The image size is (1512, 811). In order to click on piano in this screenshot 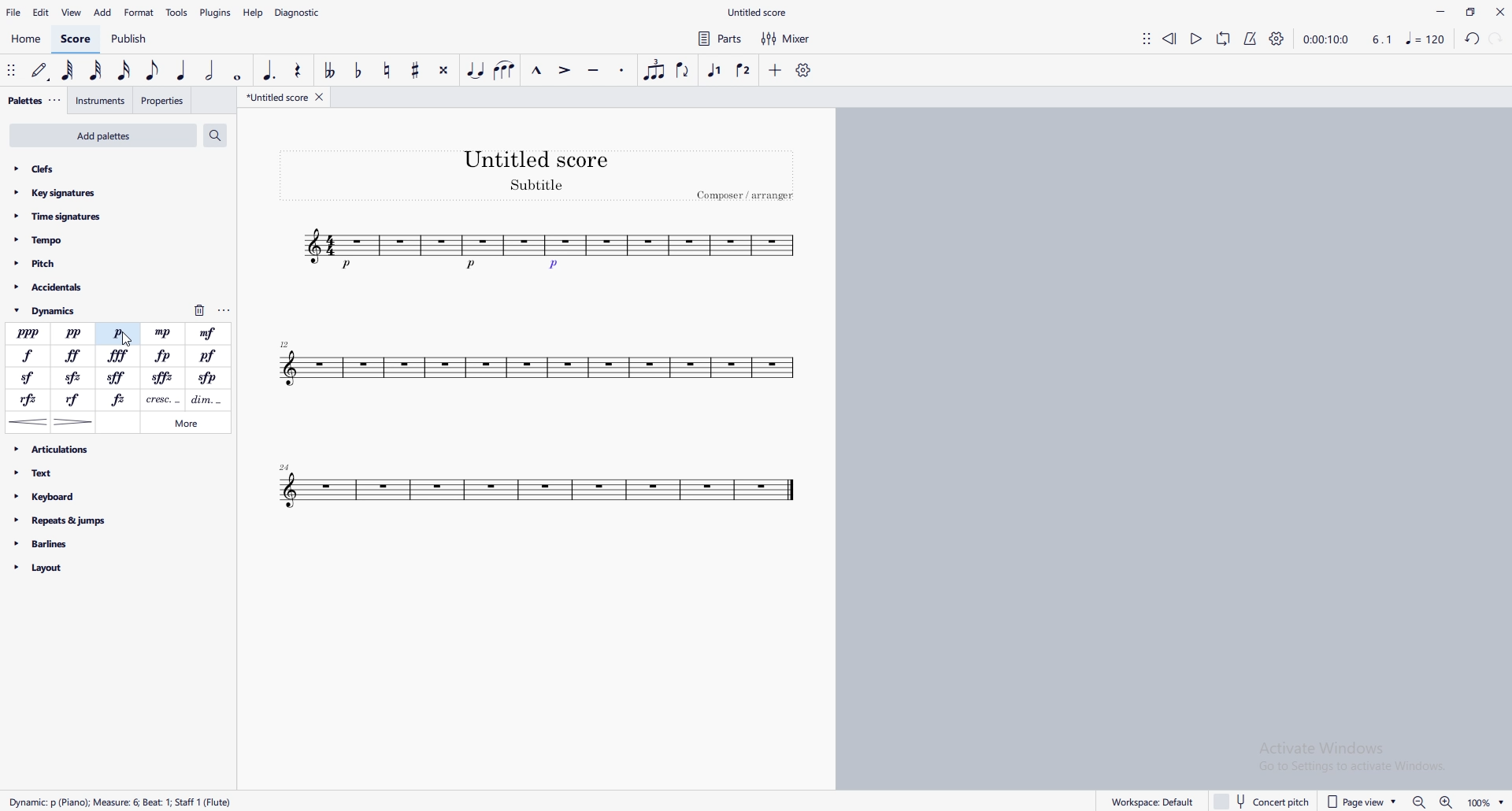, I will do `click(118, 333)`.